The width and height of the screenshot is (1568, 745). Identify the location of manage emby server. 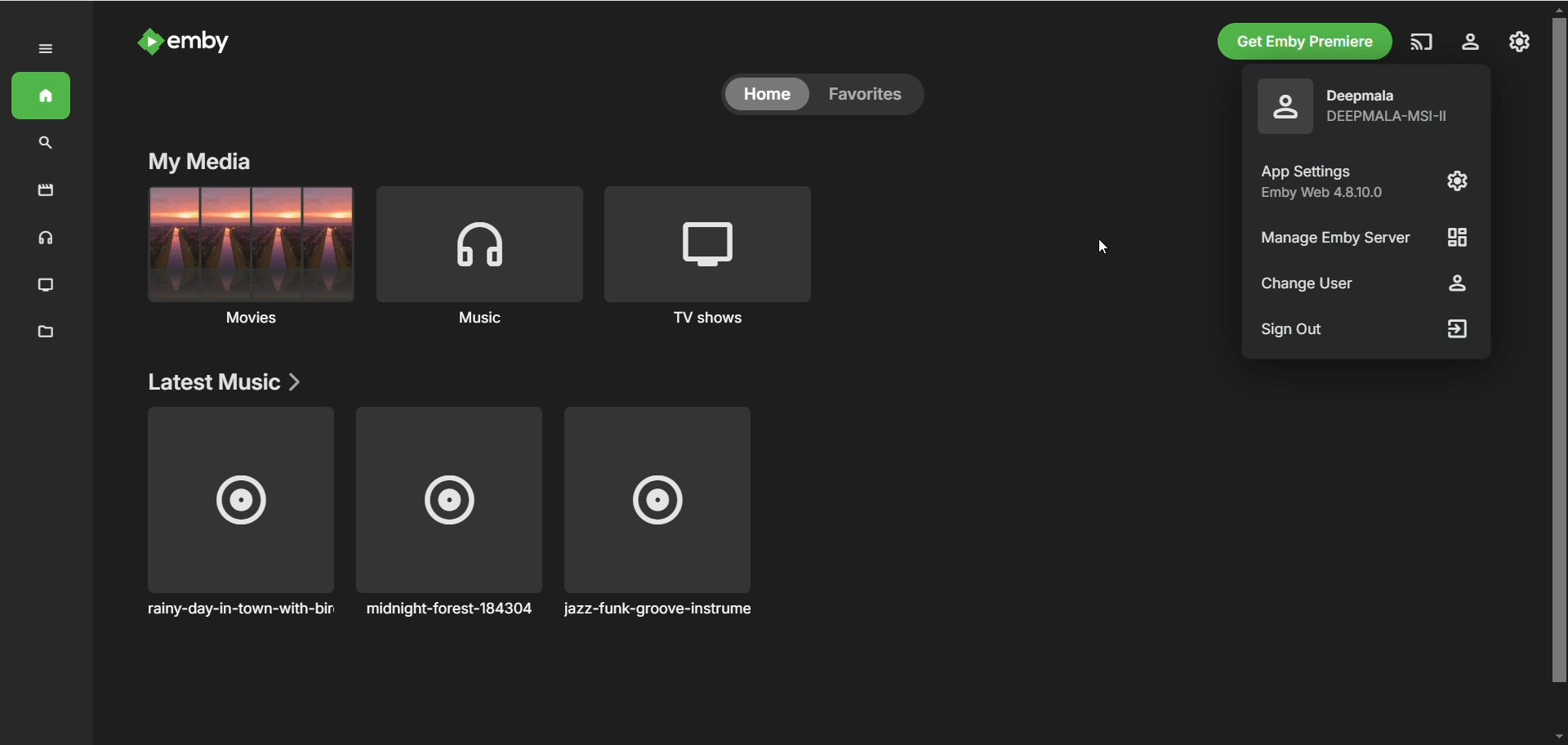
(1472, 42).